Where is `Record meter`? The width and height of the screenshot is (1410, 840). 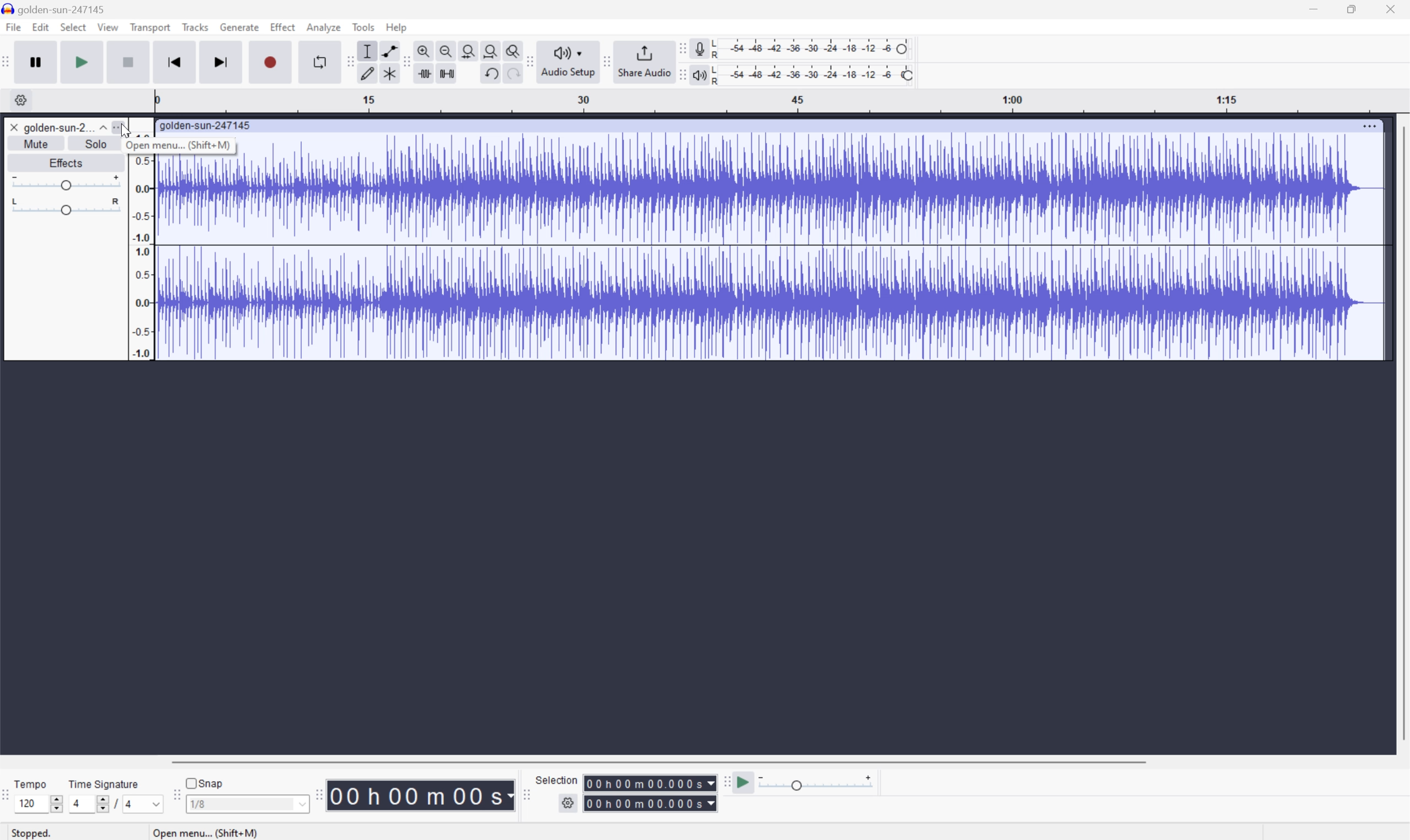
Record meter is located at coordinates (697, 46).